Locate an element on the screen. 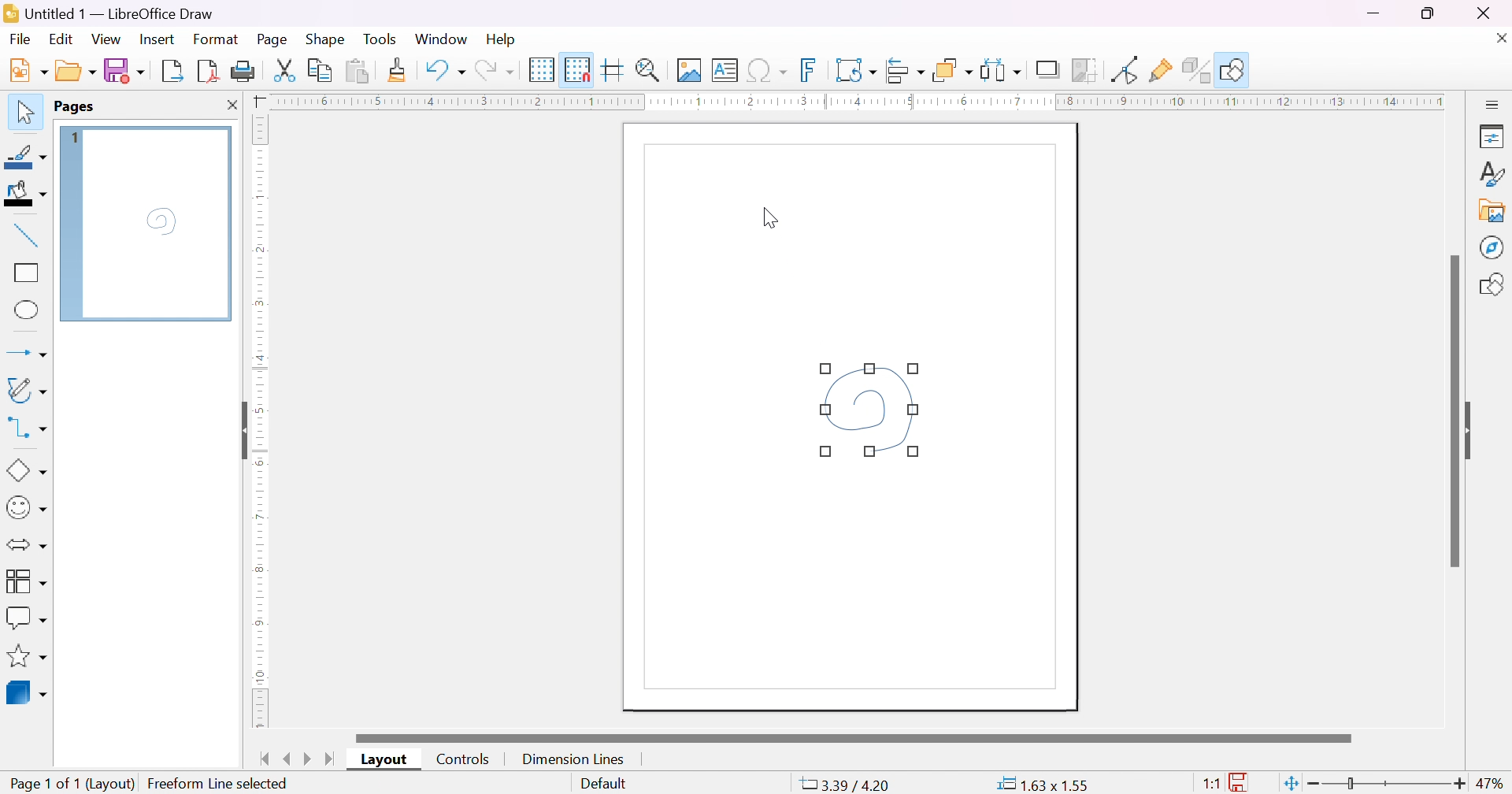 This screenshot has width=1512, height=794. stars & banners is located at coordinates (24, 655).